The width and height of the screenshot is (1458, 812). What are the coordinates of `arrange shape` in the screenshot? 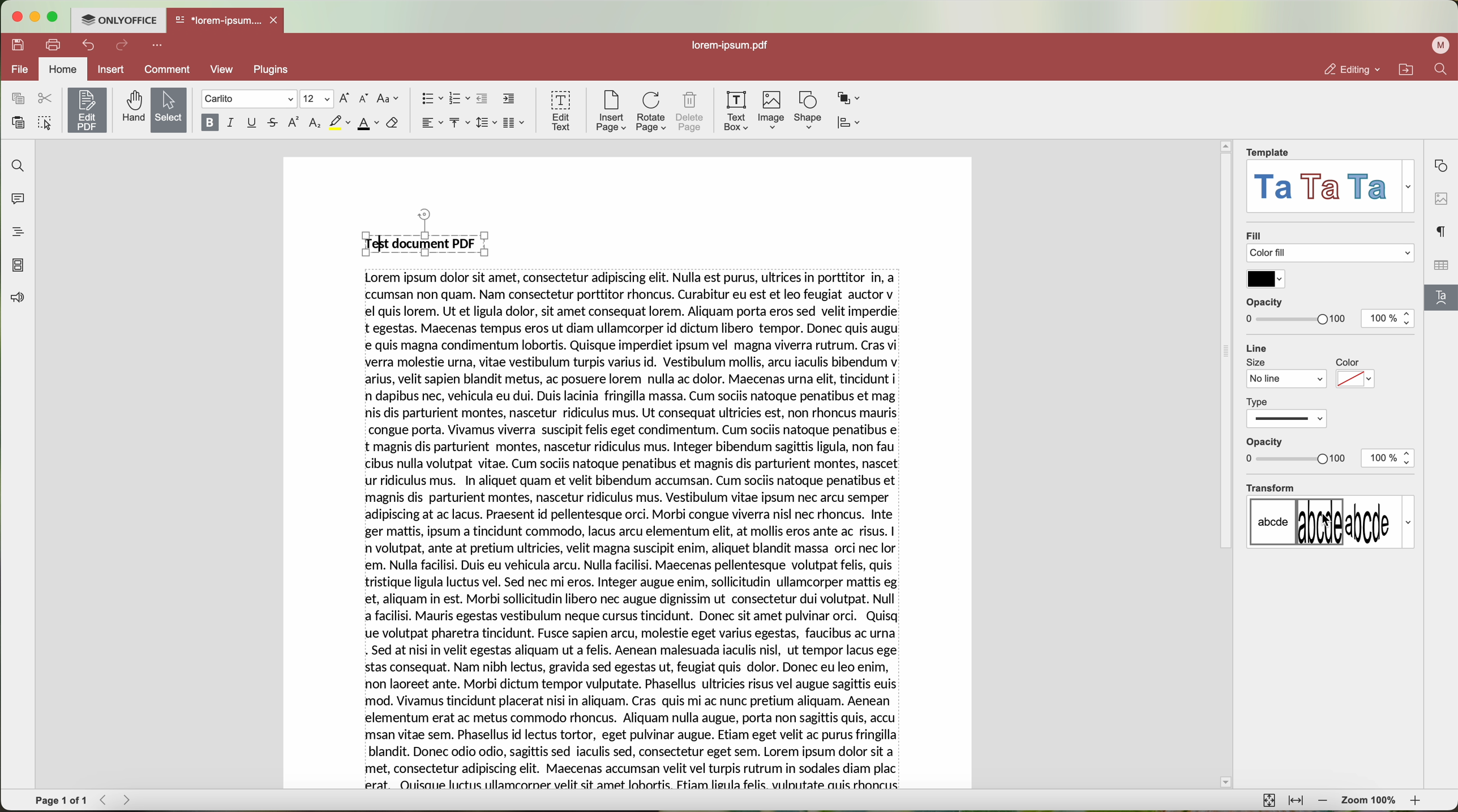 It's located at (850, 99).